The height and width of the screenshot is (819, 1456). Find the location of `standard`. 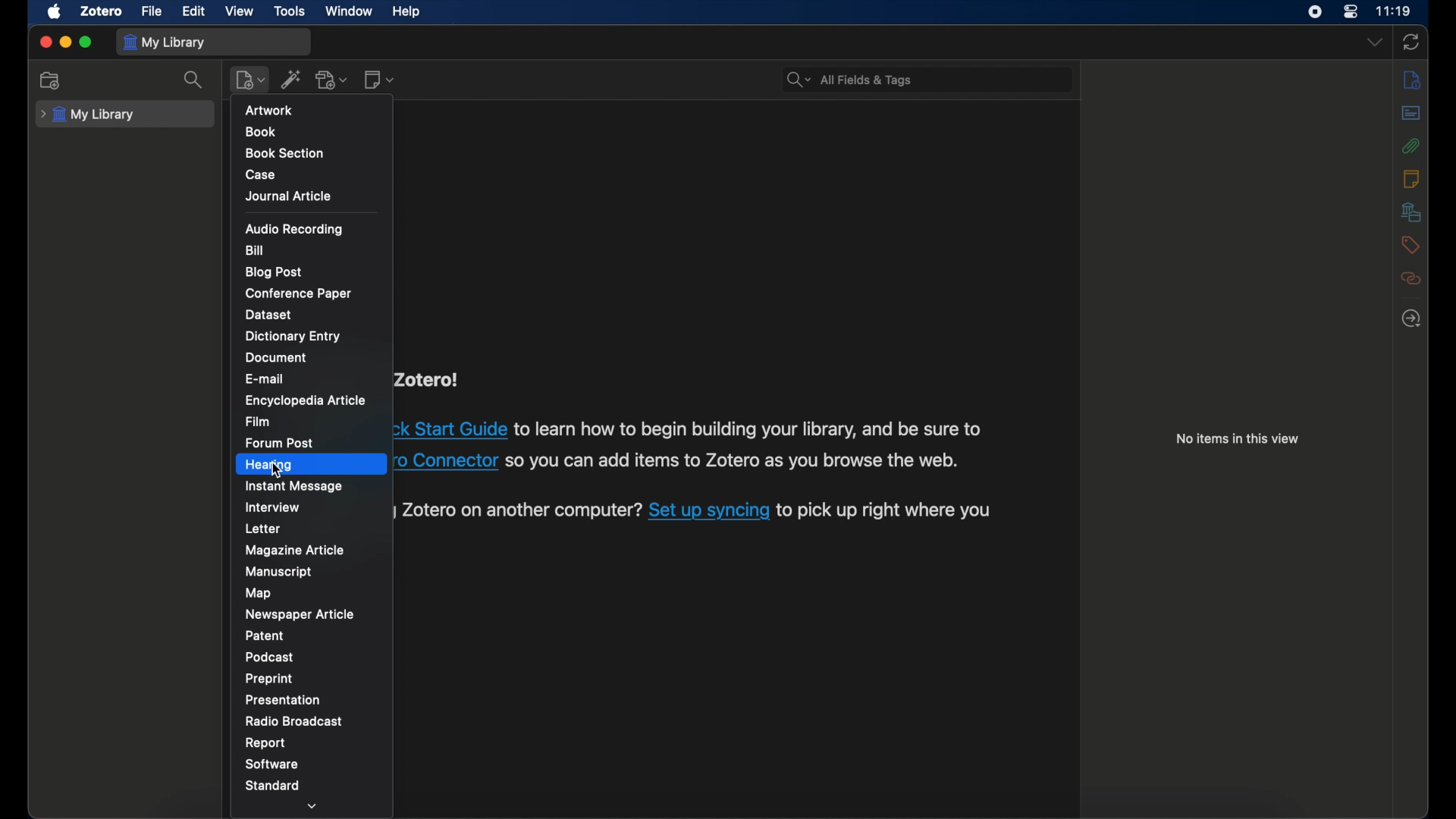

standard is located at coordinates (274, 785).